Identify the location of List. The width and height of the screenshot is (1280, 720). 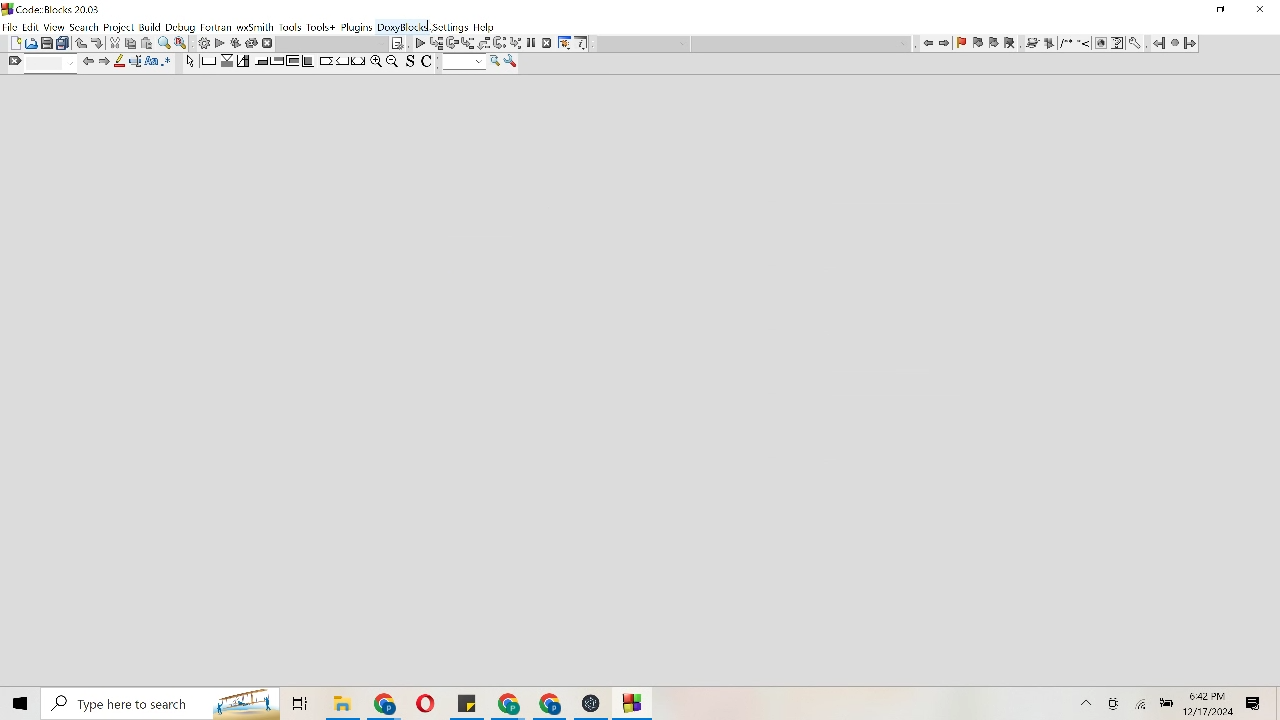
(475, 43).